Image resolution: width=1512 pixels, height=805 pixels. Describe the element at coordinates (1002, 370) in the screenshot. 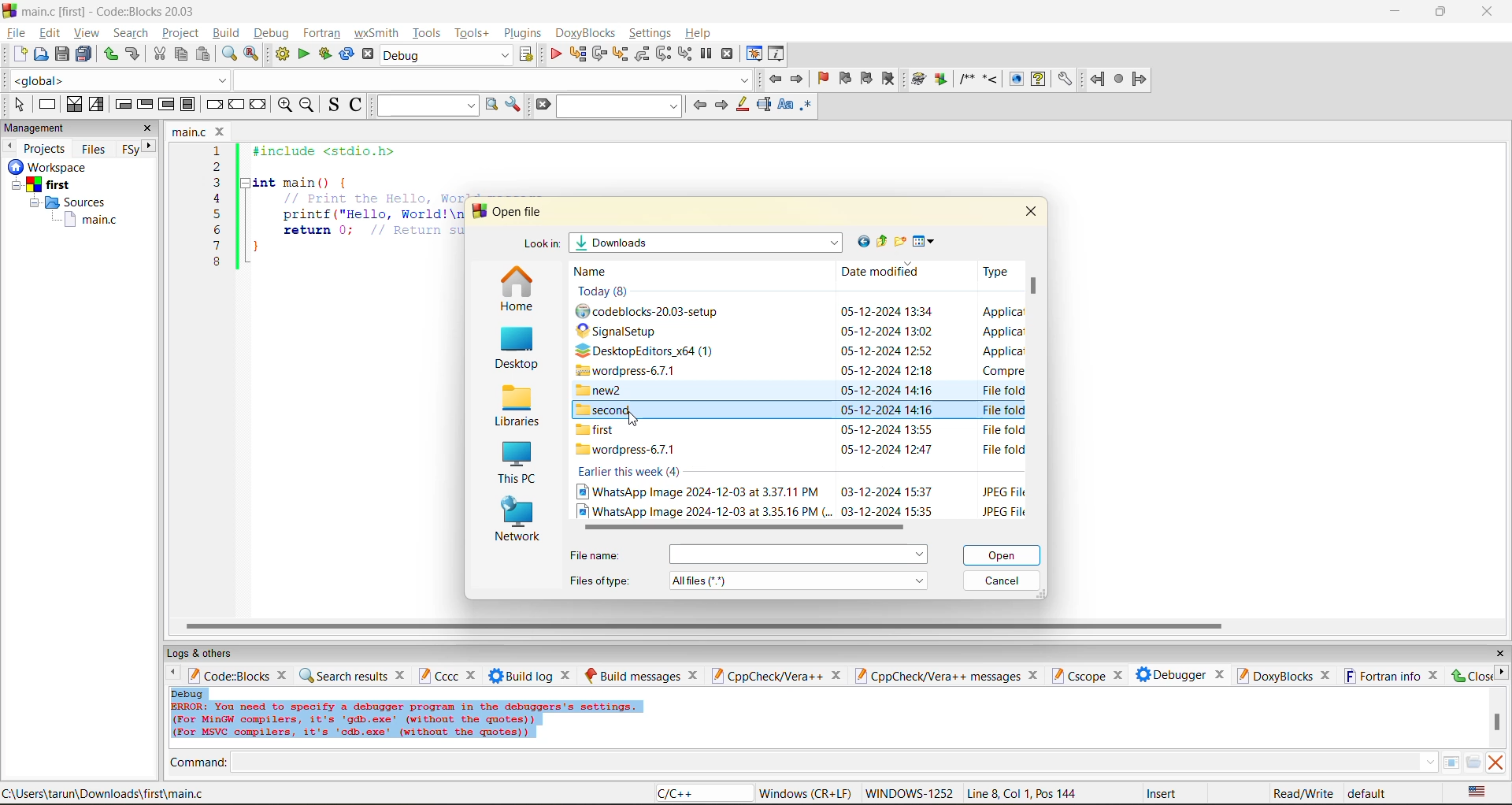

I see `type` at that location.